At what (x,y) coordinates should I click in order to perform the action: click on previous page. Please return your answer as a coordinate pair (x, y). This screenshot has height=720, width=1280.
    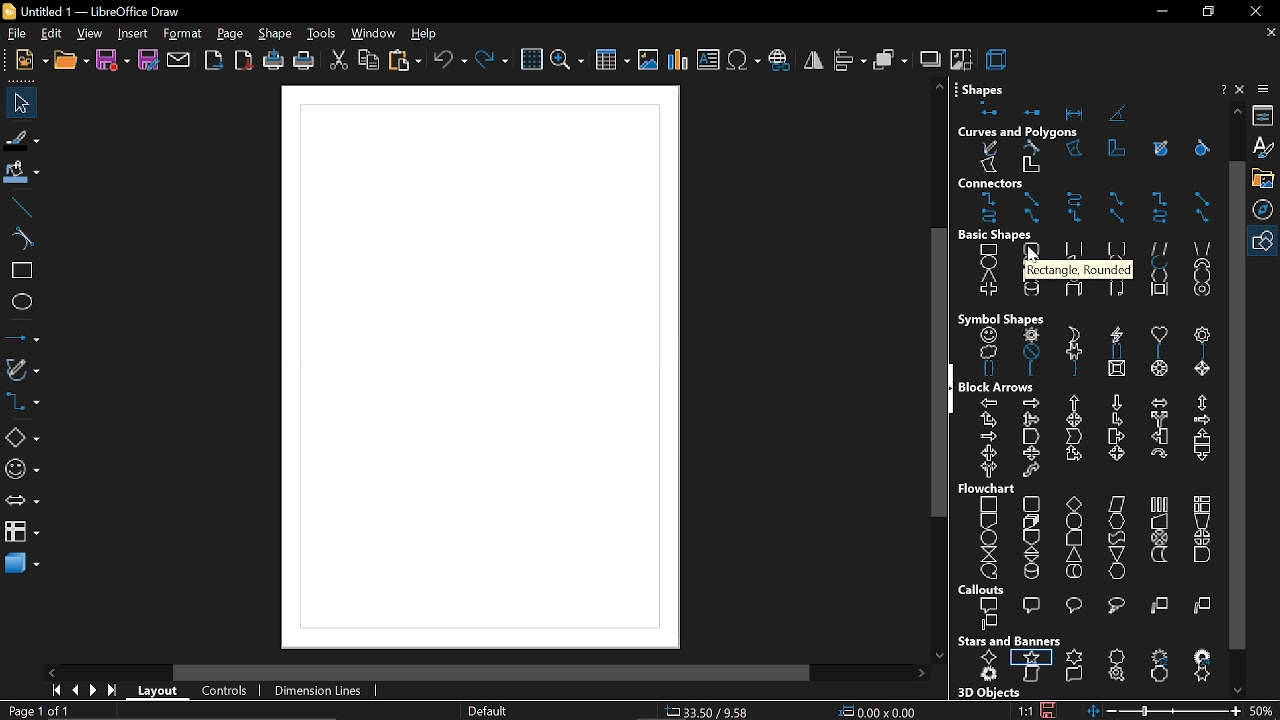
    Looking at the image, I should click on (74, 691).